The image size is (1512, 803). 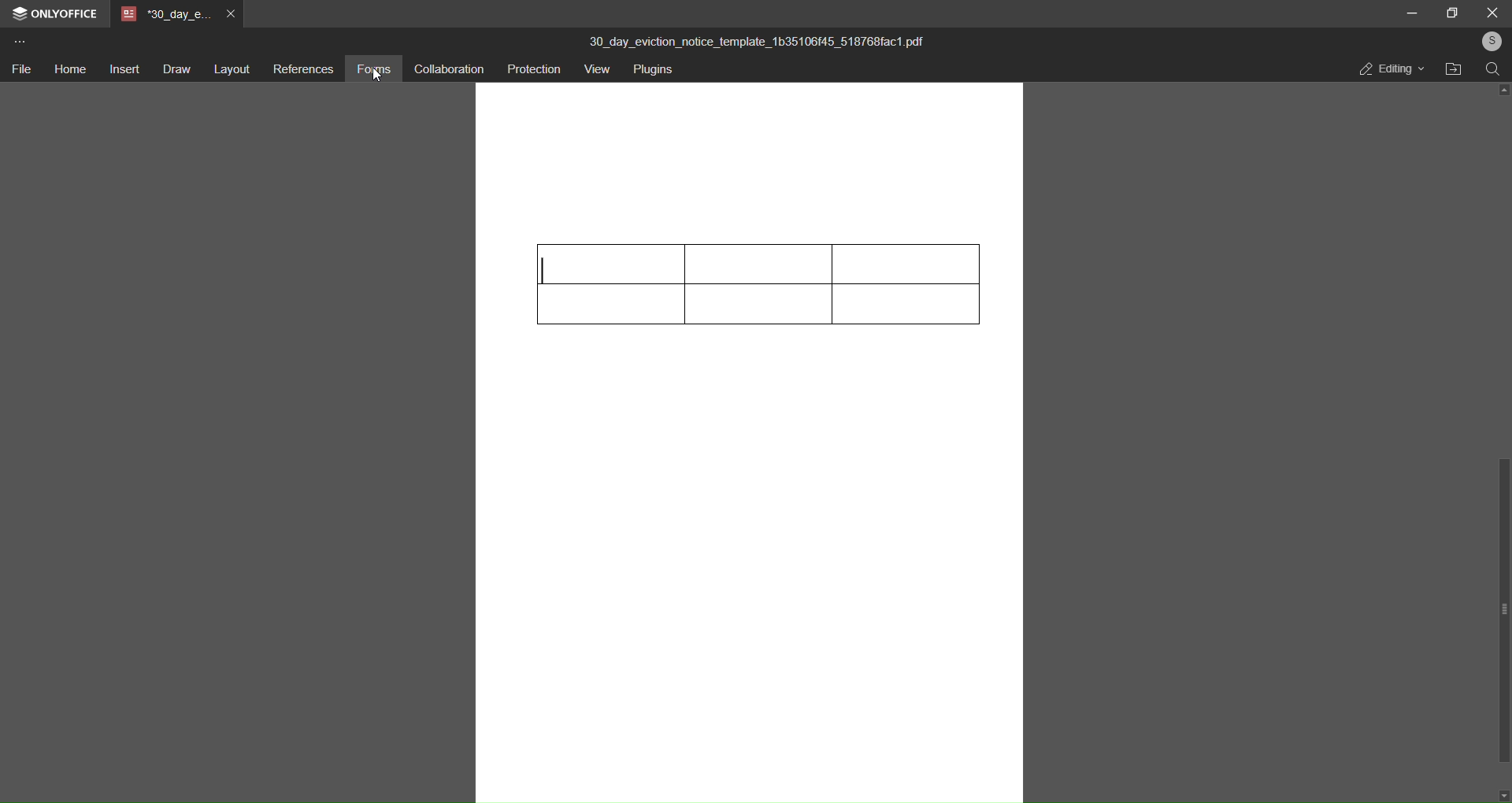 What do you see at coordinates (1448, 13) in the screenshot?
I see `maximize` at bounding box center [1448, 13].